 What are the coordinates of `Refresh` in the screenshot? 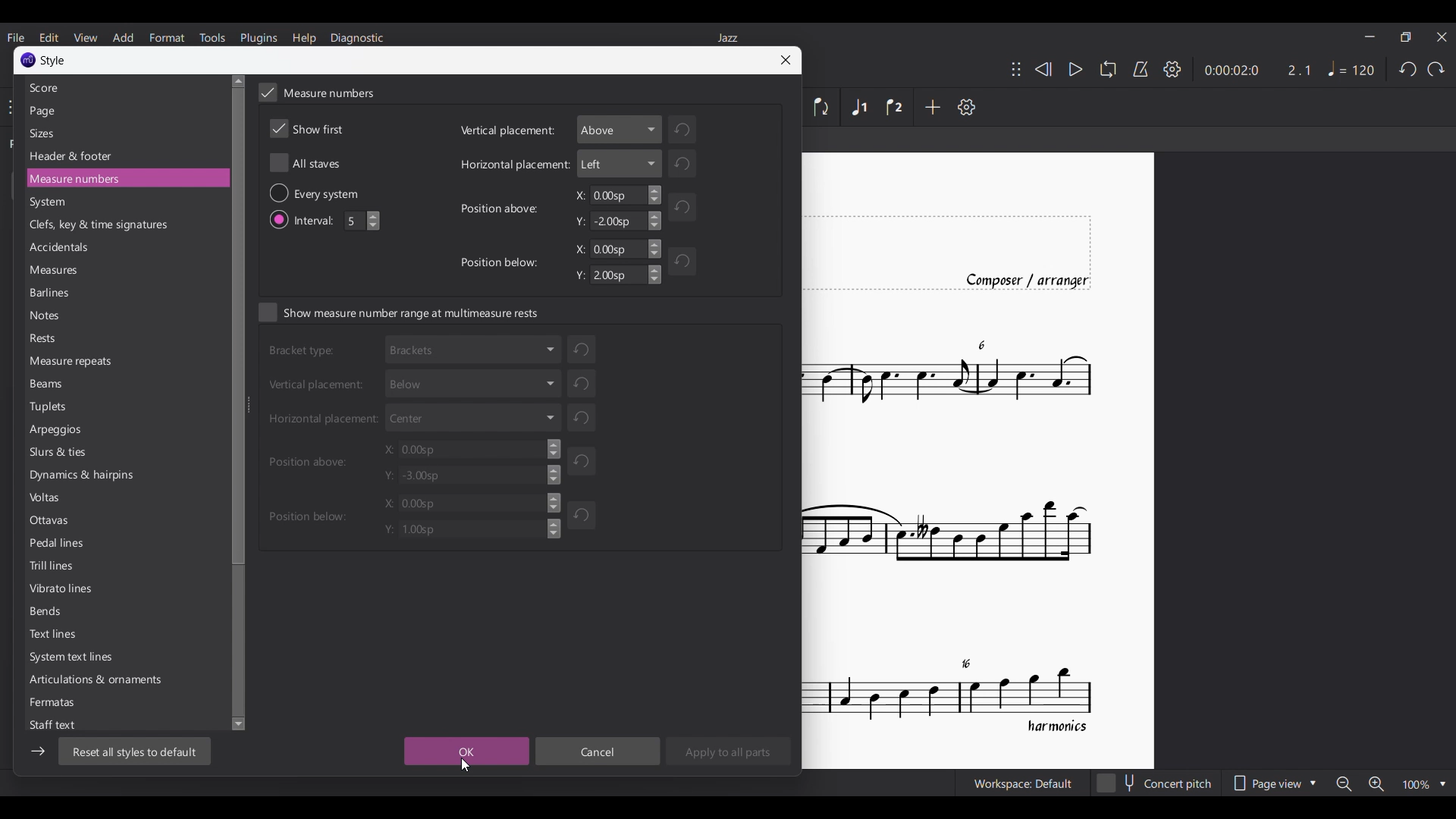 It's located at (679, 206).